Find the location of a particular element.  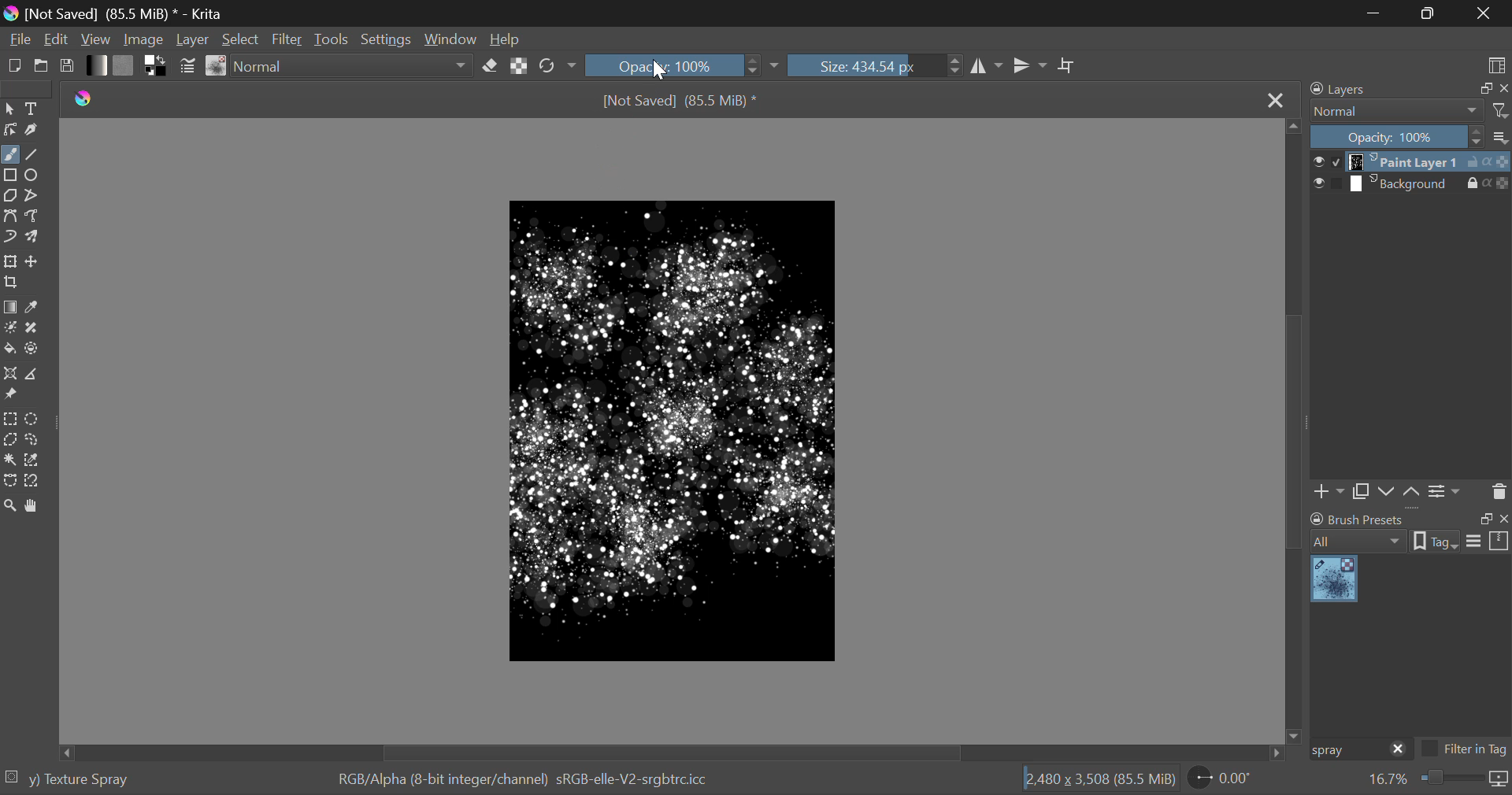

Image is located at coordinates (148, 38).